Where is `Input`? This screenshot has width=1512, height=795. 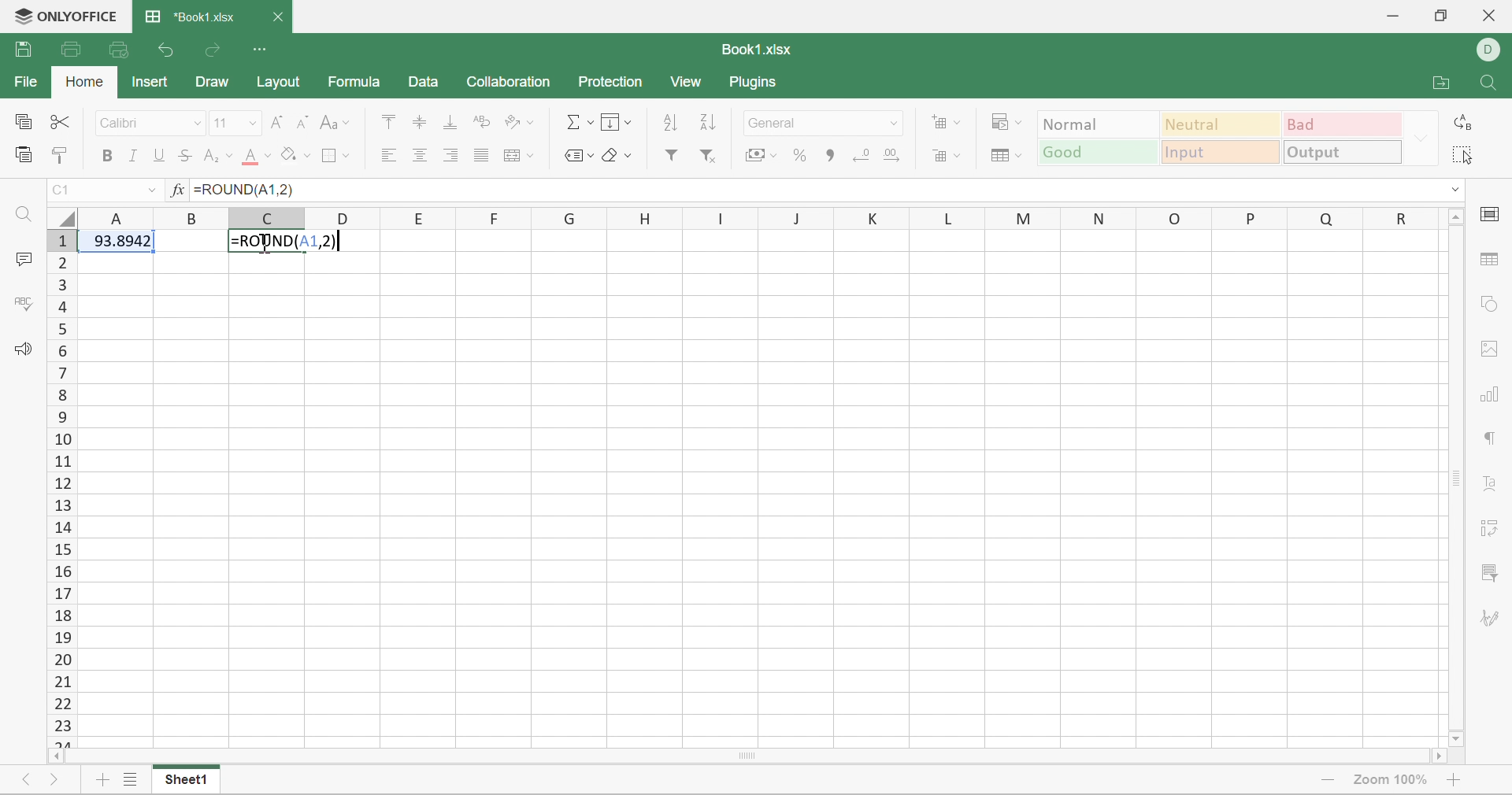 Input is located at coordinates (1221, 154).